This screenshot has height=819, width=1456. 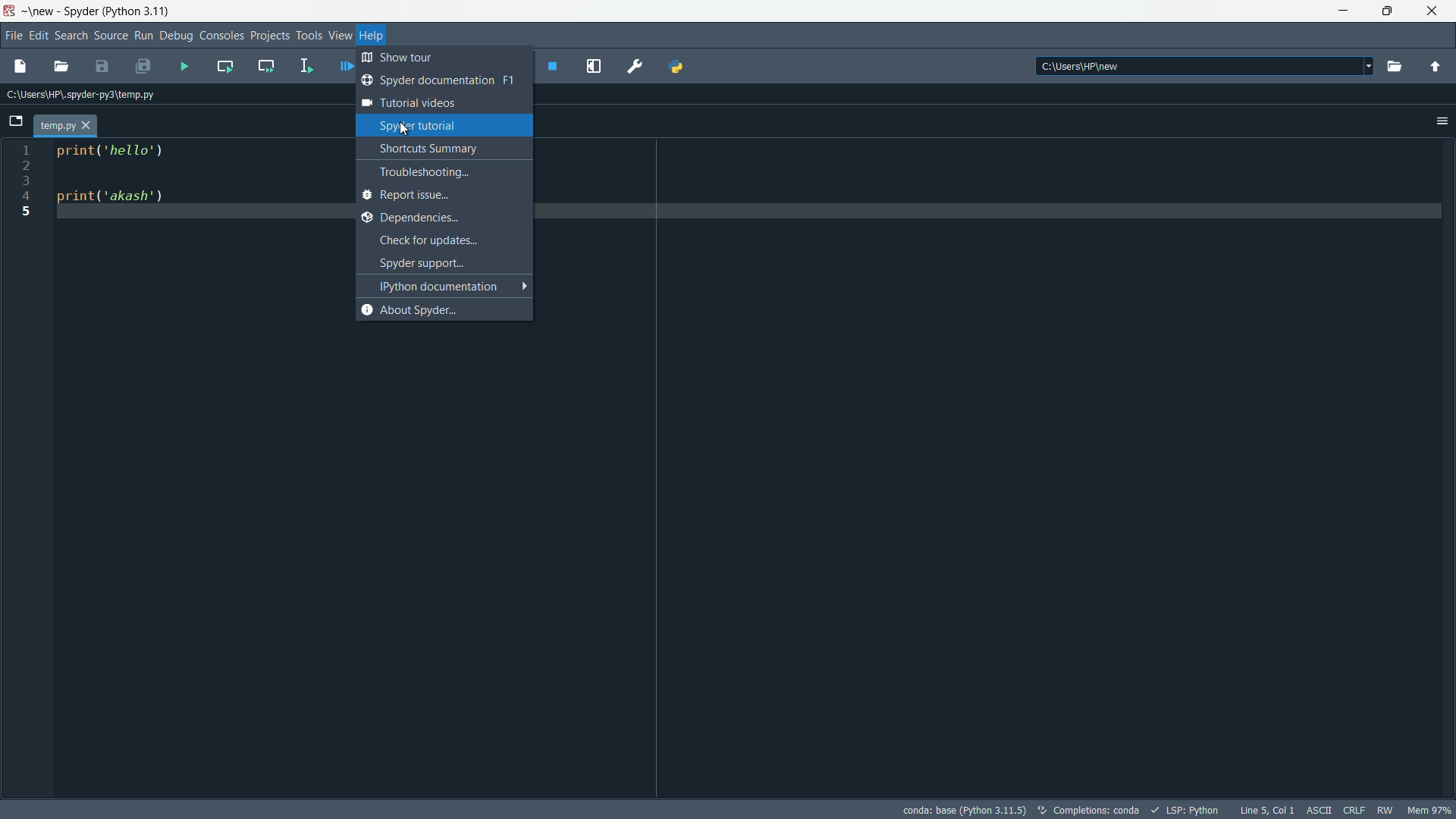 What do you see at coordinates (1429, 809) in the screenshot?
I see `mem 97%` at bounding box center [1429, 809].